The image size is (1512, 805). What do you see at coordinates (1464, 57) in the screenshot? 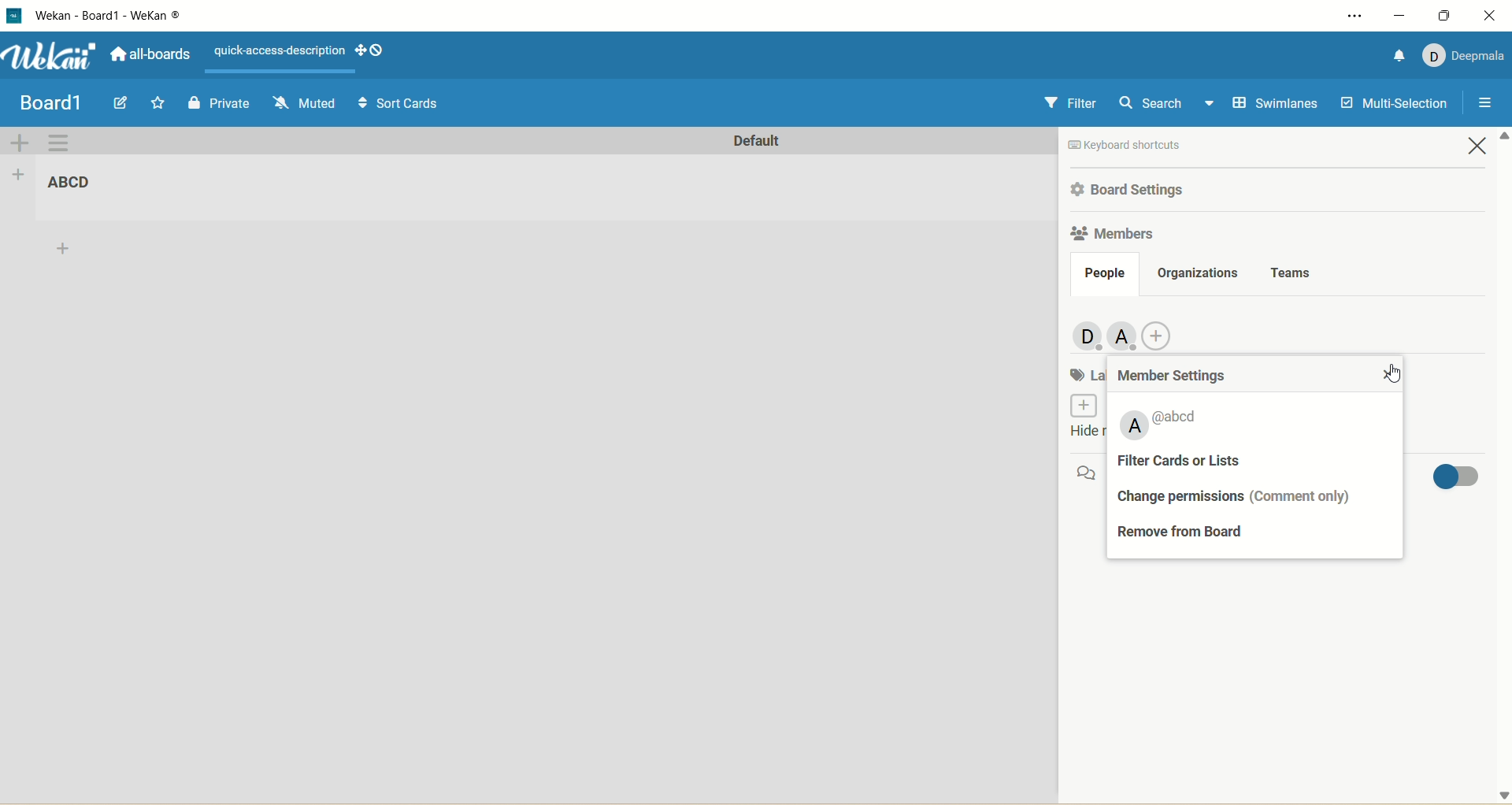
I see `account` at bounding box center [1464, 57].